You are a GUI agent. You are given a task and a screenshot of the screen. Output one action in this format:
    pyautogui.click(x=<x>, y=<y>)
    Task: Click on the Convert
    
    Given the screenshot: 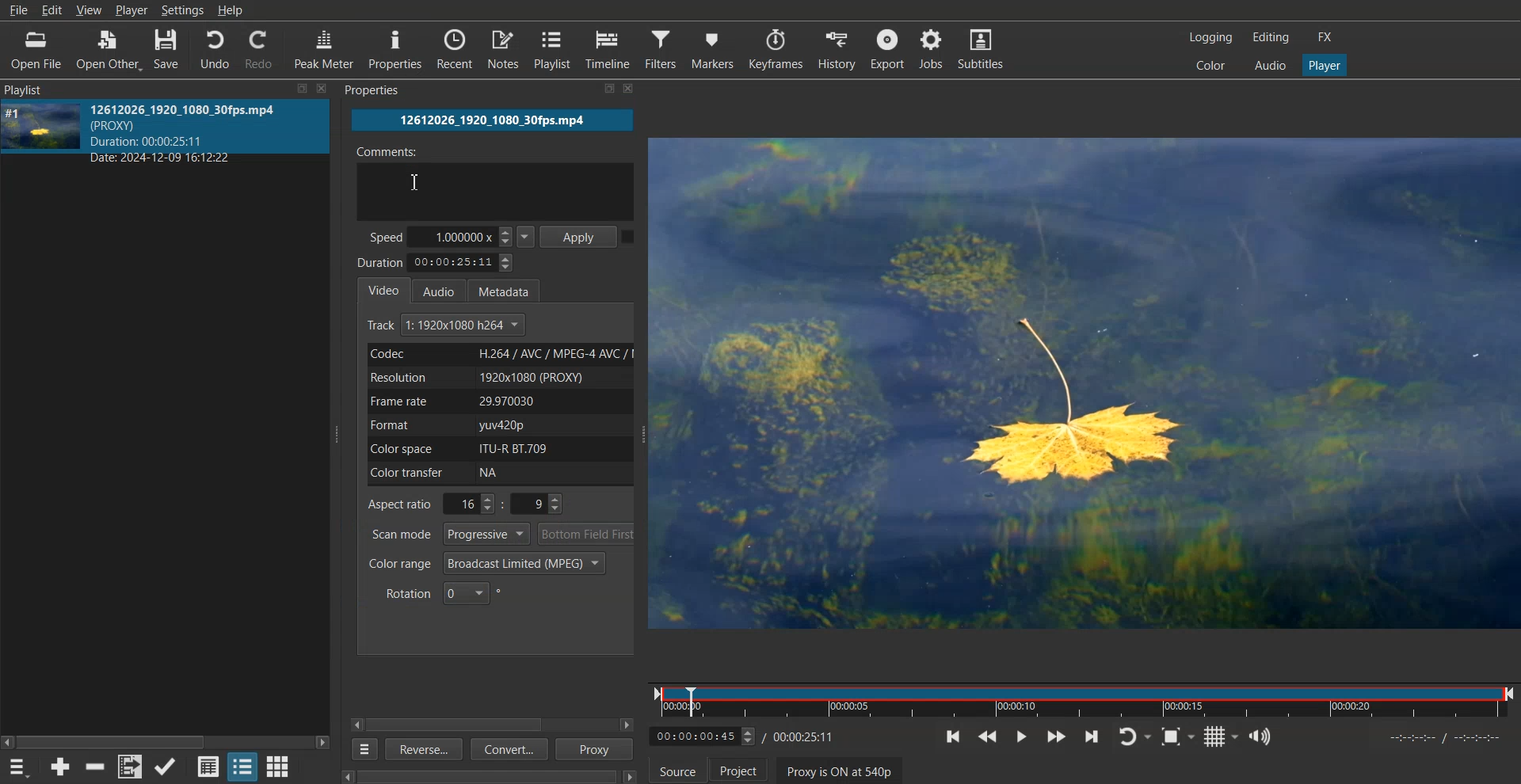 What is the action you would take?
    pyautogui.click(x=507, y=751)
    